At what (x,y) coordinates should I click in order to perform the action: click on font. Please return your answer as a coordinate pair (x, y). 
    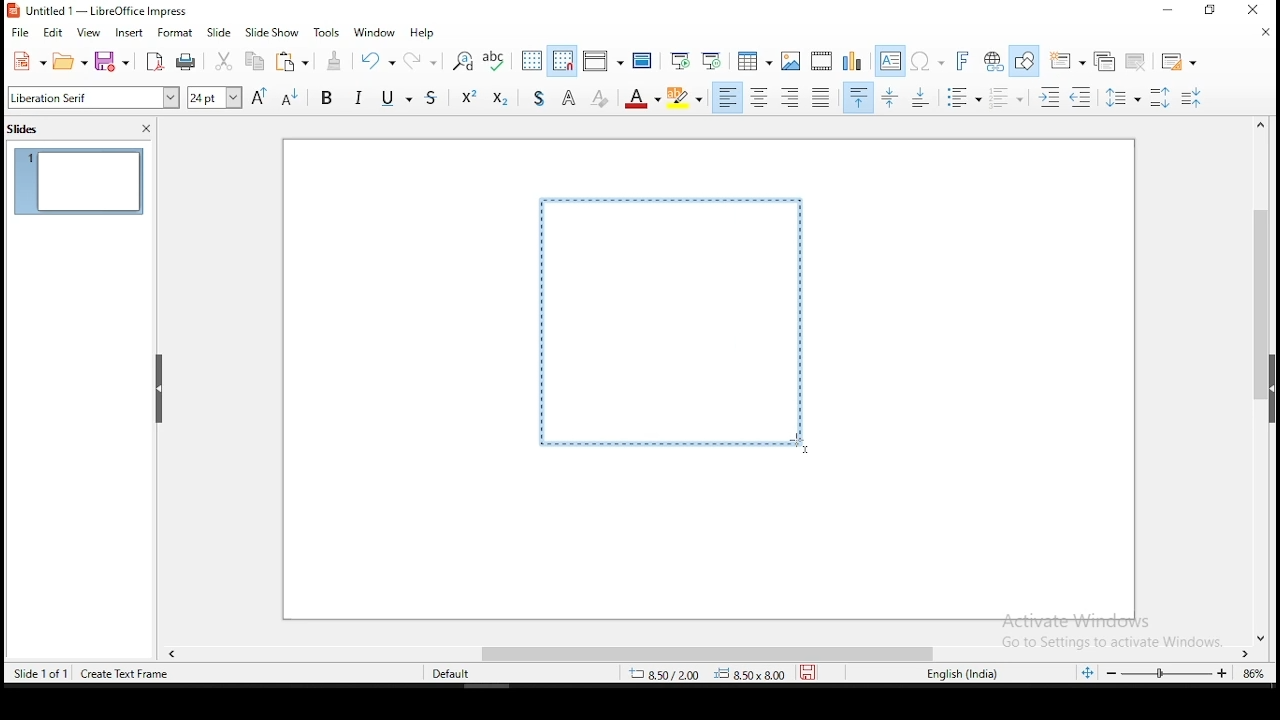
    Looking at the image, I should click on (92, 99).